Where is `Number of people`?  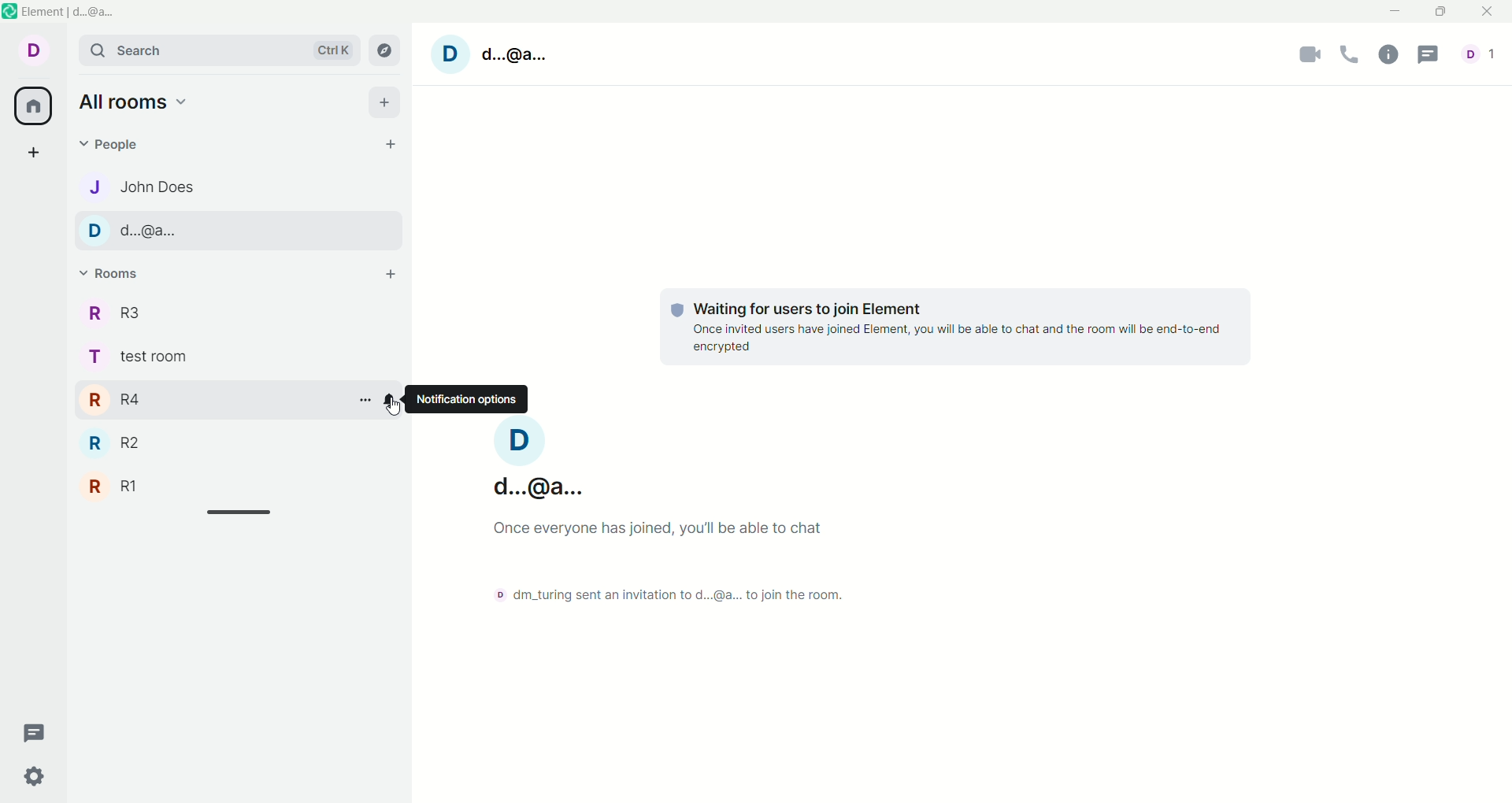 Number of people is located at coordinates (1484, 54).